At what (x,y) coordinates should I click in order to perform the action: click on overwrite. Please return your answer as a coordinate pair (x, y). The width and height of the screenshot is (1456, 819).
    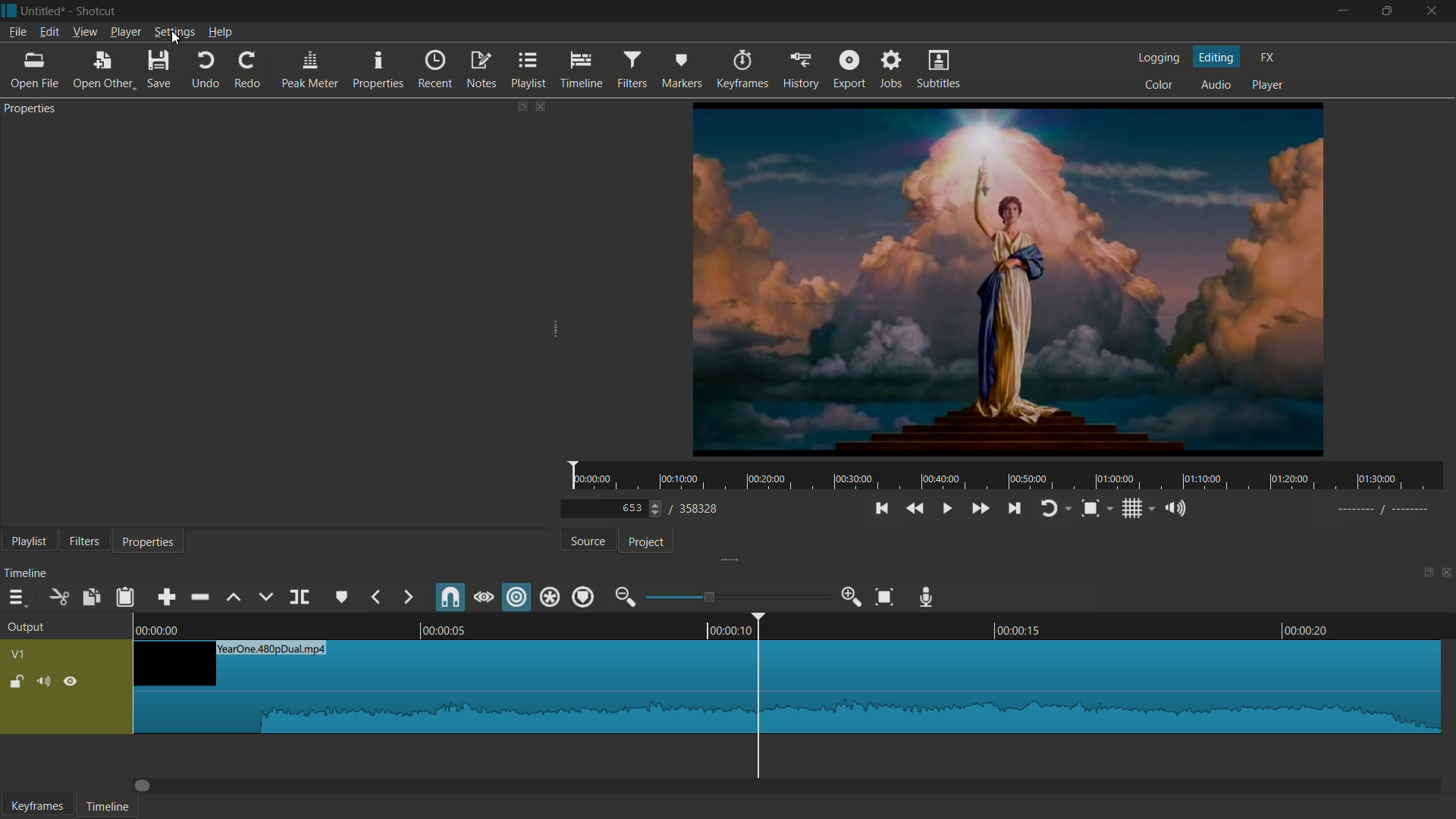
    Looking at the image, I should click on (265, 596).